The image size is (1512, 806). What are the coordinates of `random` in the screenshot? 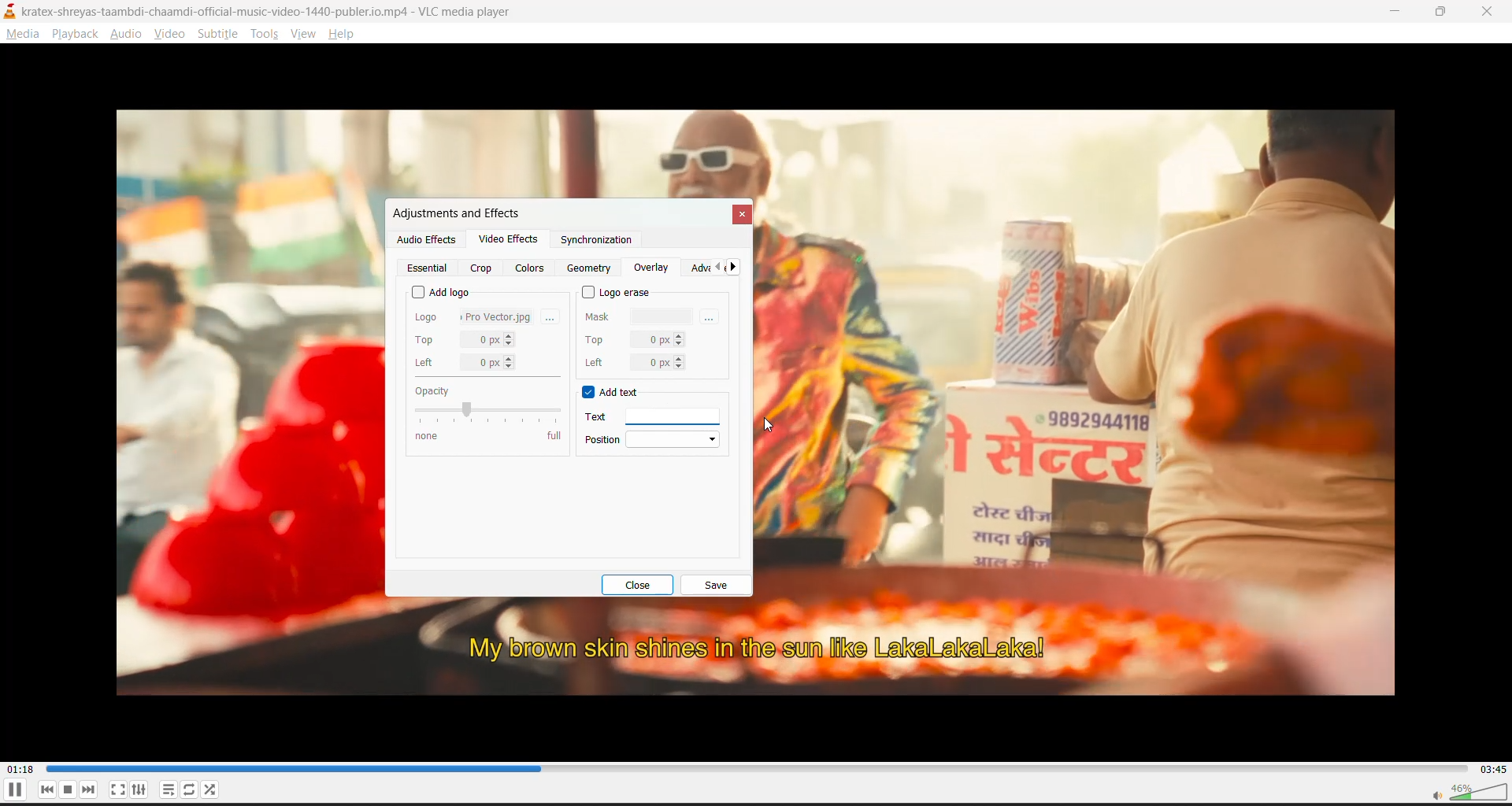 It's located at (215, 792).